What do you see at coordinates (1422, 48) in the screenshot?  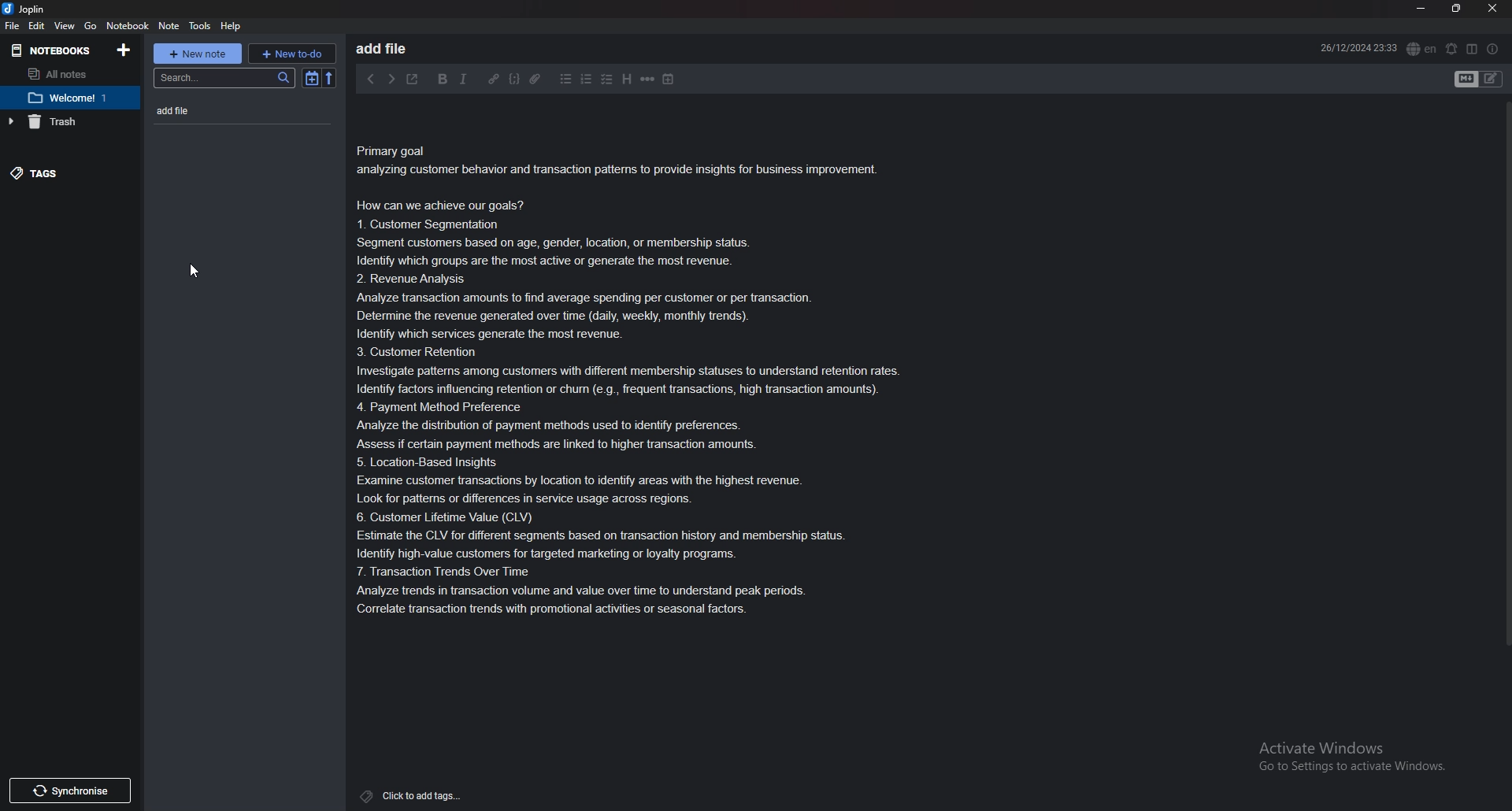 I see `Language` at bounding box center [1422, 48].